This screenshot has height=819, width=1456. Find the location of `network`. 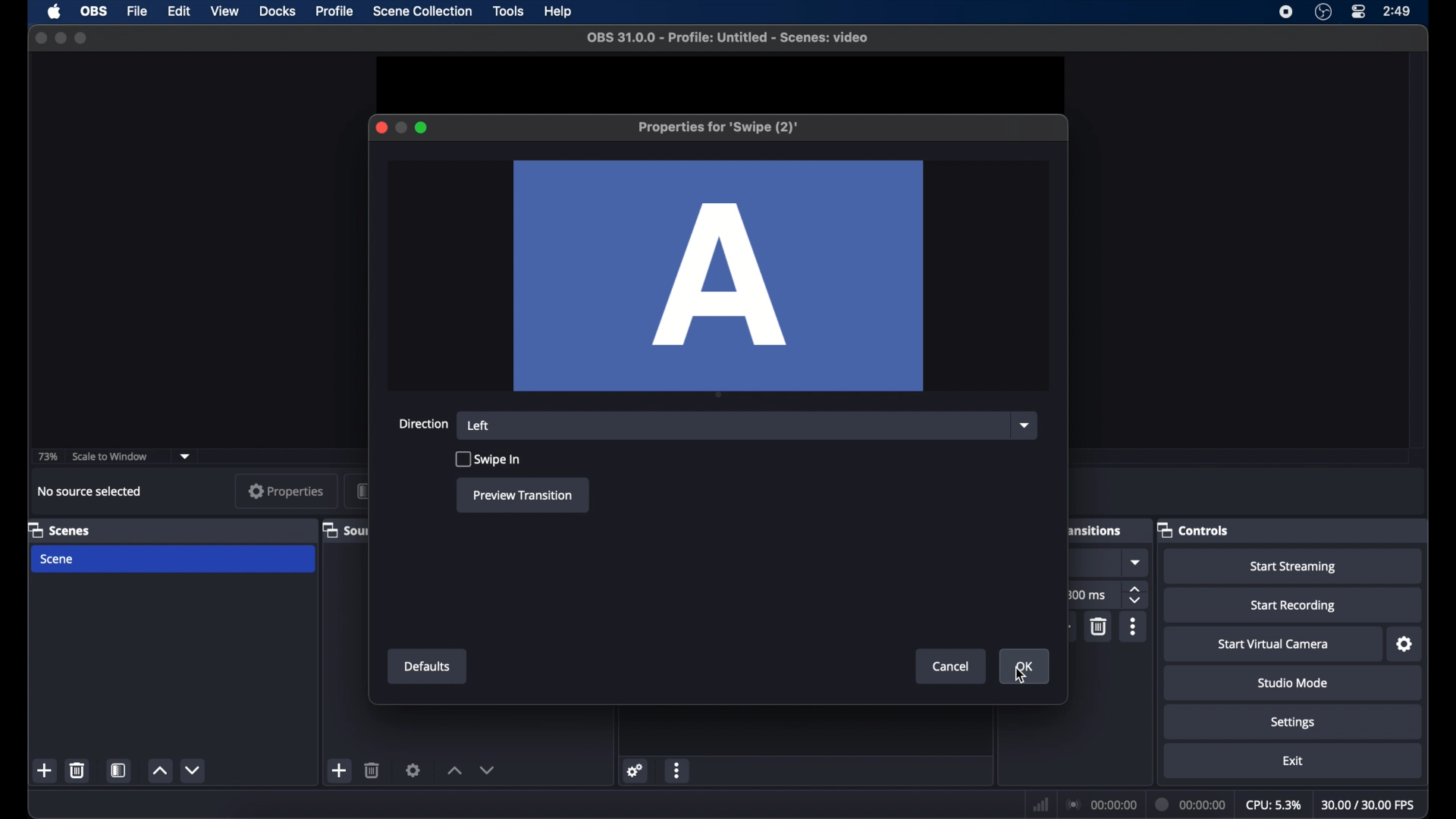

network is located at coordinates (1039, 805).